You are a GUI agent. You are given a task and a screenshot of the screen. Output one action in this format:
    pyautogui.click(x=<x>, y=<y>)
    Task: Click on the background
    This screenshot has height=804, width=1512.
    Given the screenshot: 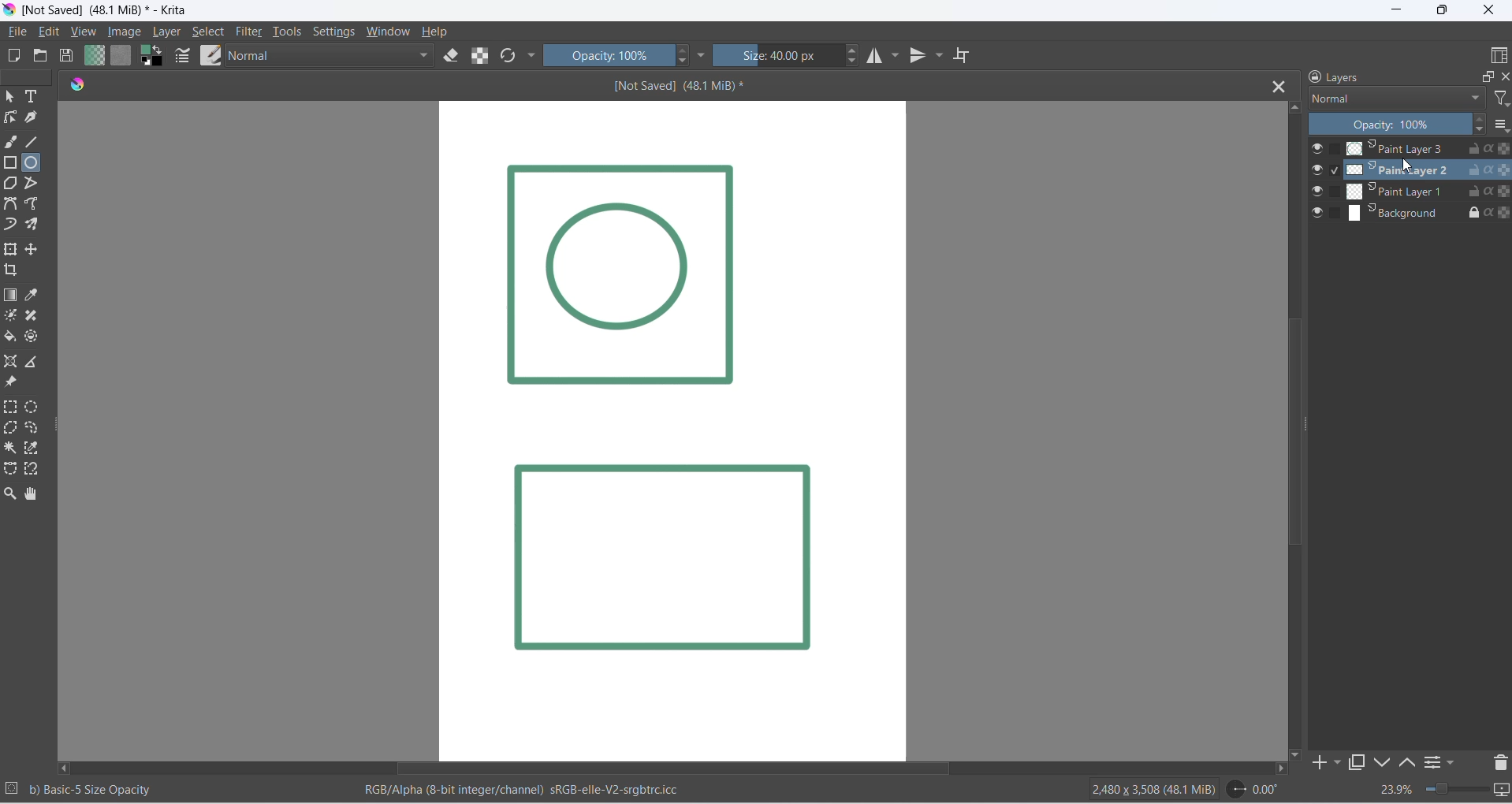 What is the action you would take?
    pyautogui.click(x=1393, y=211)
    